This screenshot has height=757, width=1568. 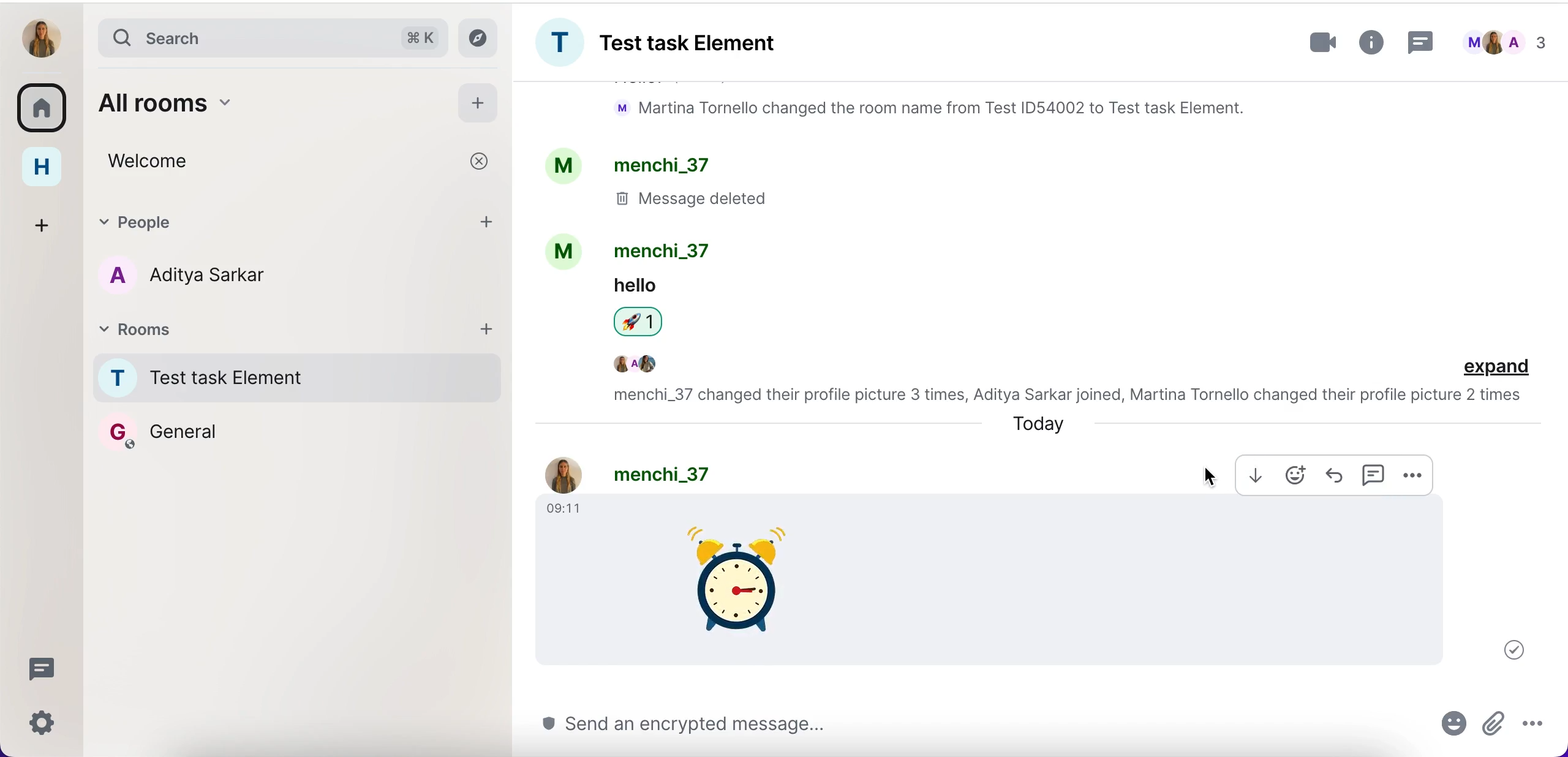 What do you see at coordinates (1421, 40) in the screenshot?
I see `threads ` at bounding box center [1421, 40].